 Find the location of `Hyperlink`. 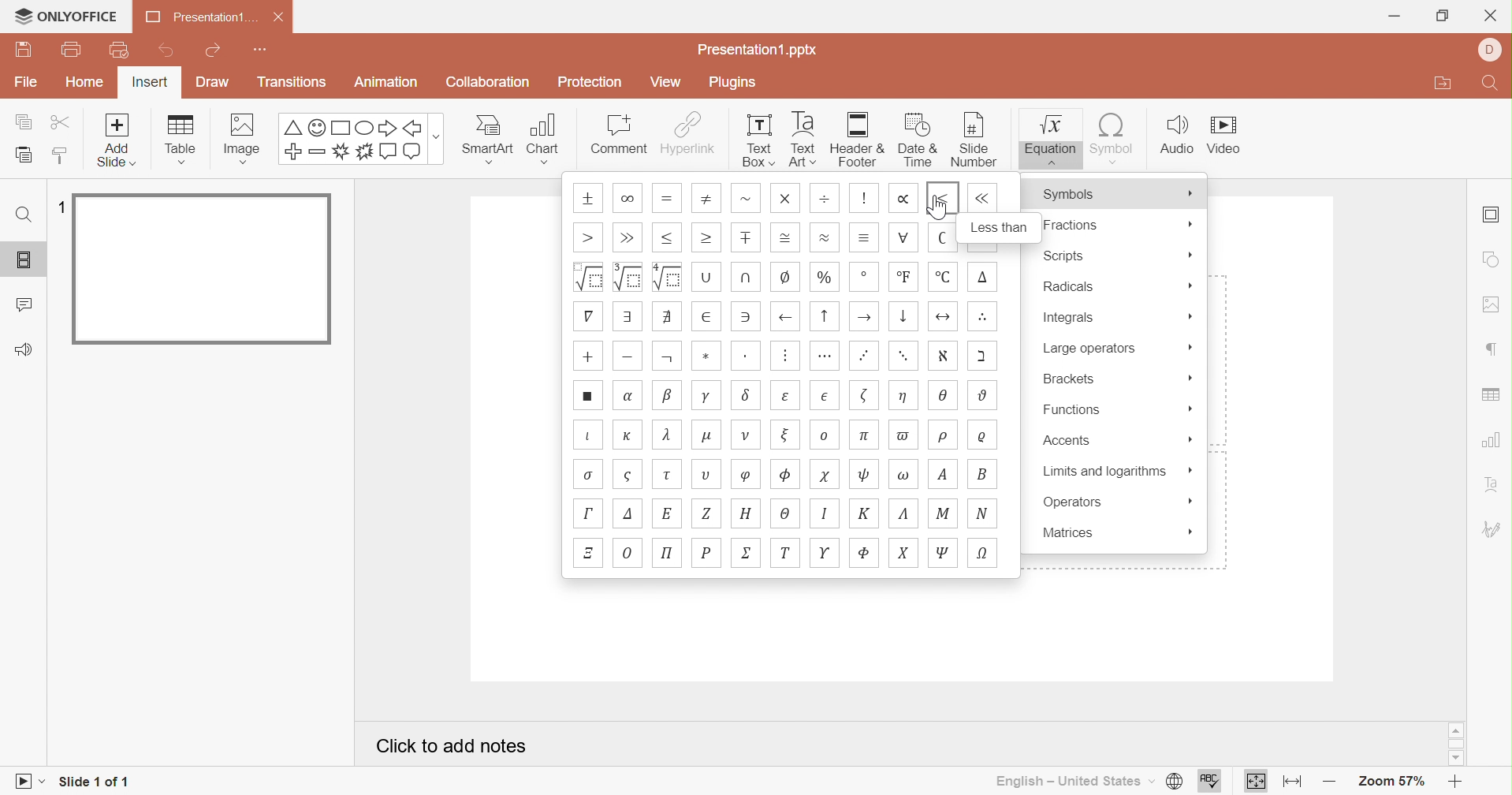

Hyperlink is located at coordinates (691, 136).